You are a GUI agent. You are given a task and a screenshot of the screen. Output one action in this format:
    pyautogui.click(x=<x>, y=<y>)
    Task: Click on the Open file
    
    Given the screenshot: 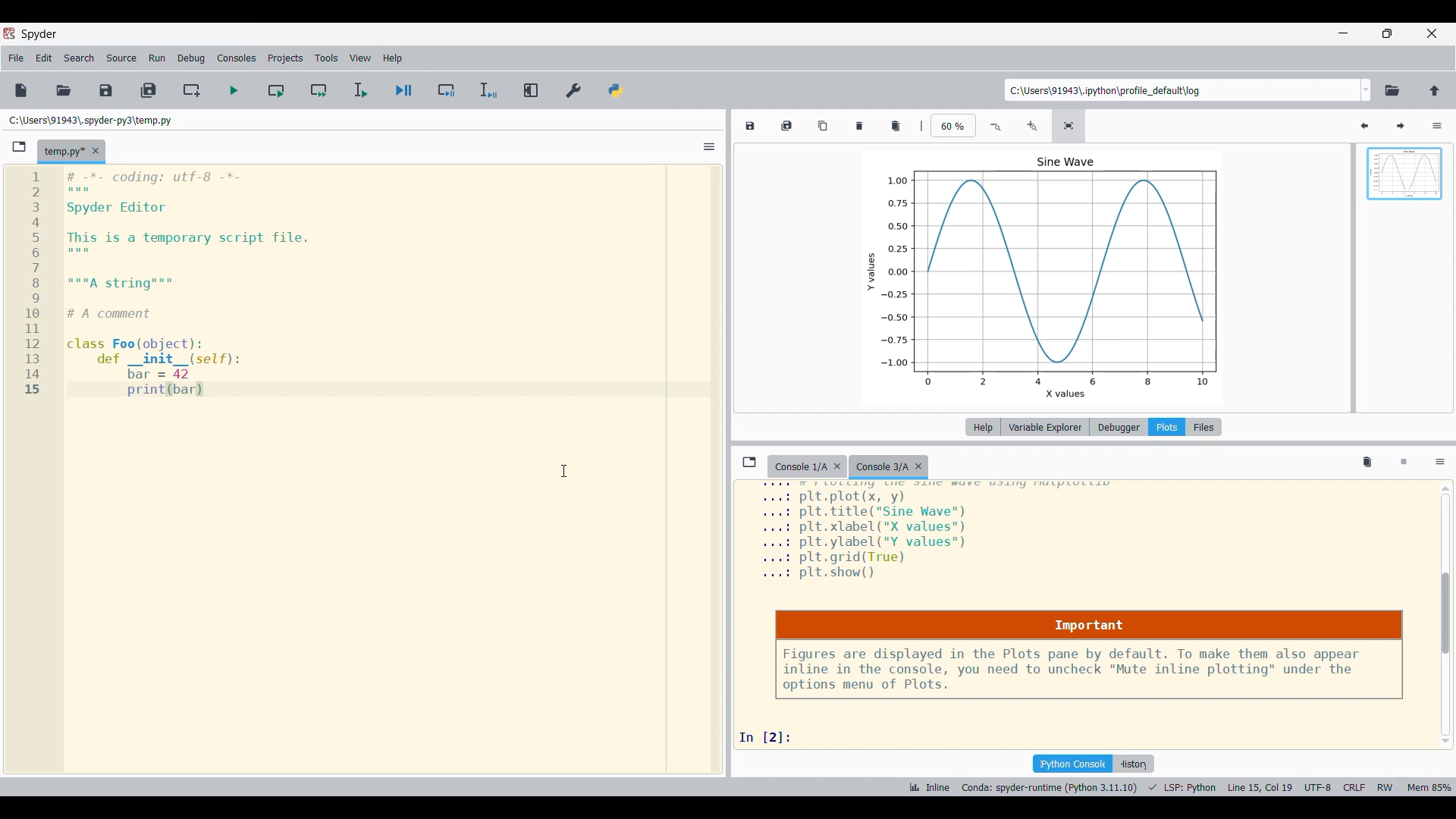 What is the action you would take?
    pyautogui.click(x=64, y=90)
    